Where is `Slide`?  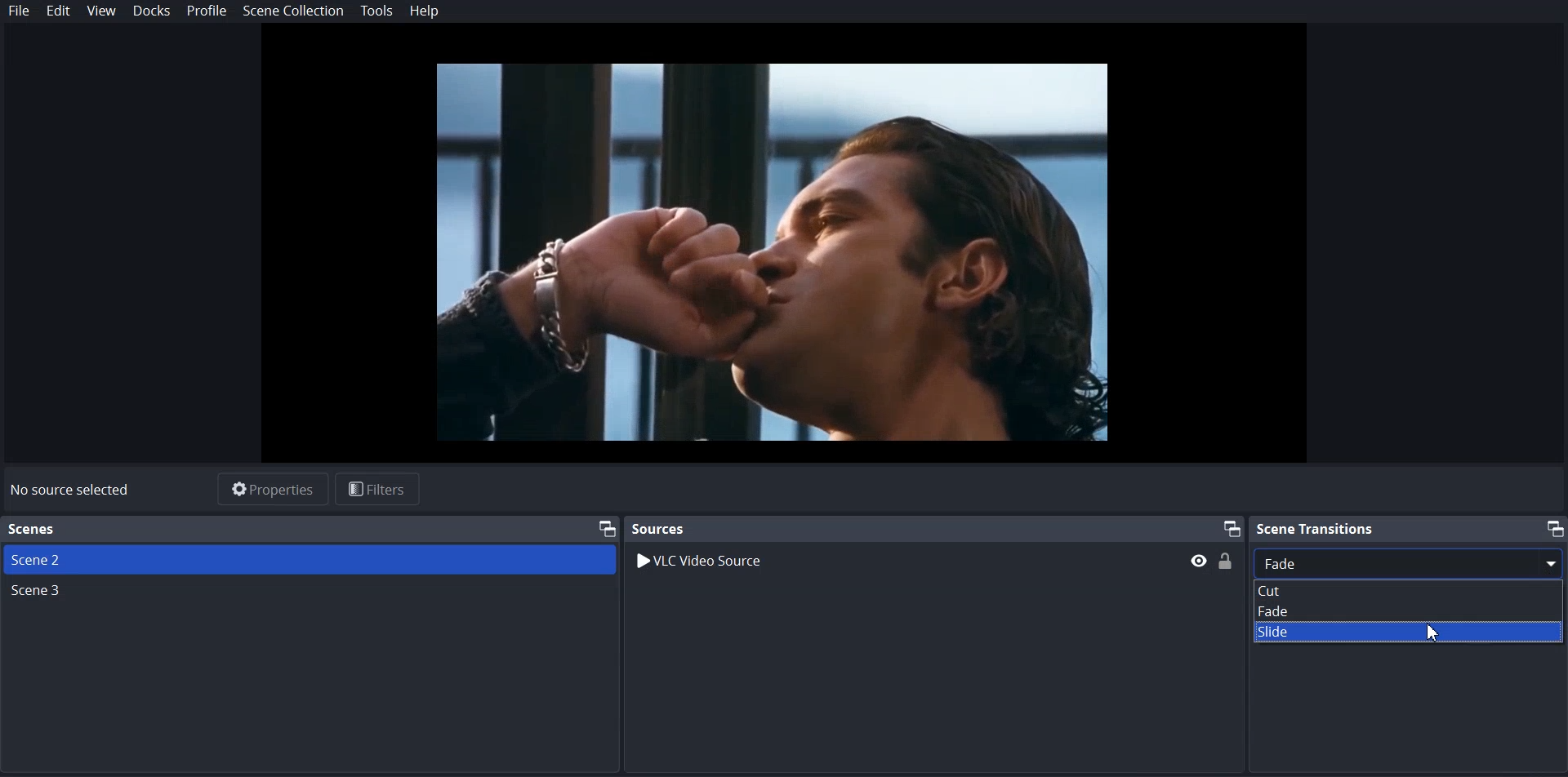
Slide is located at coordinates (1411, 632).